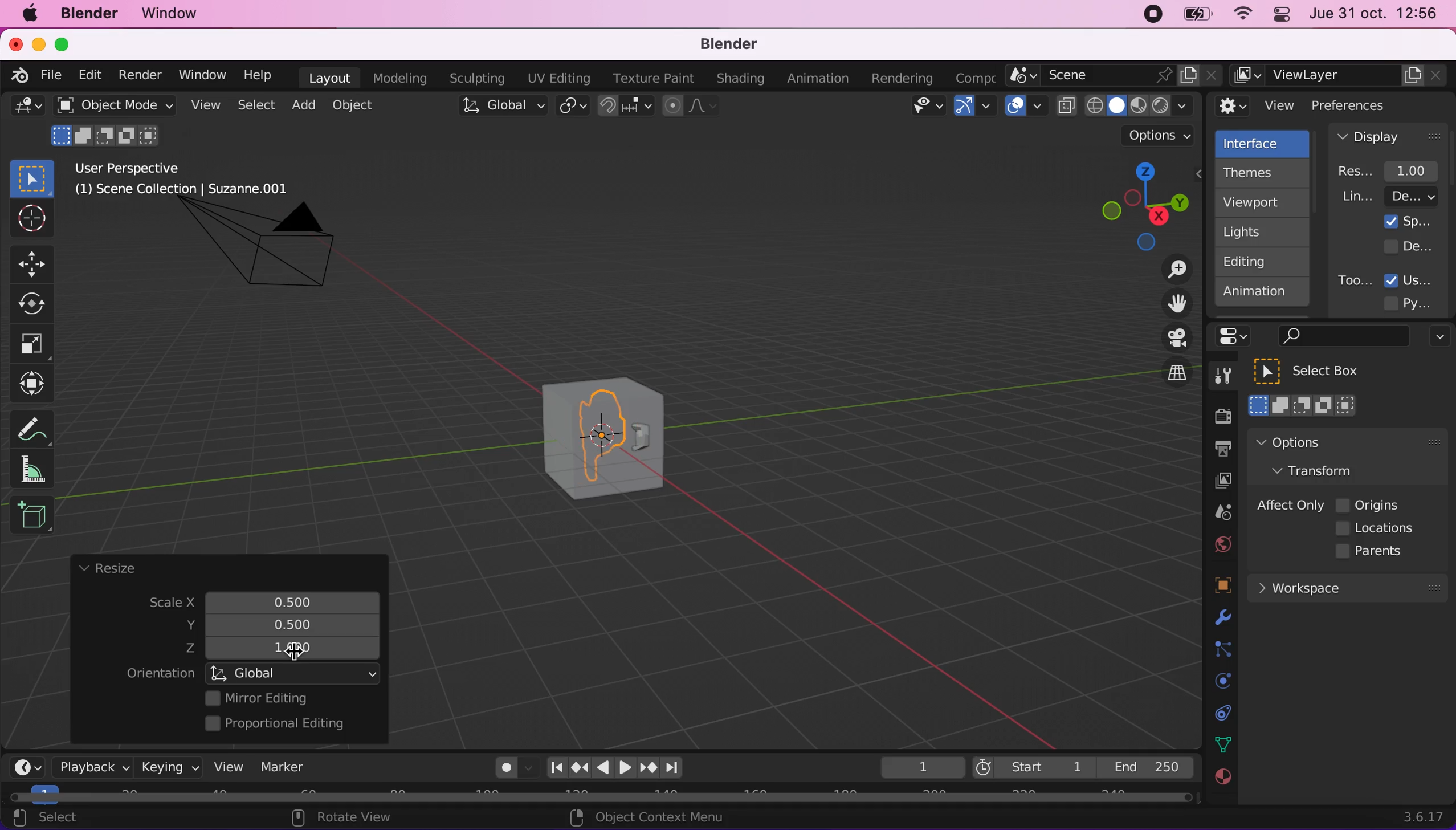  I want to click on jump to keyframe, so click(580, 767).